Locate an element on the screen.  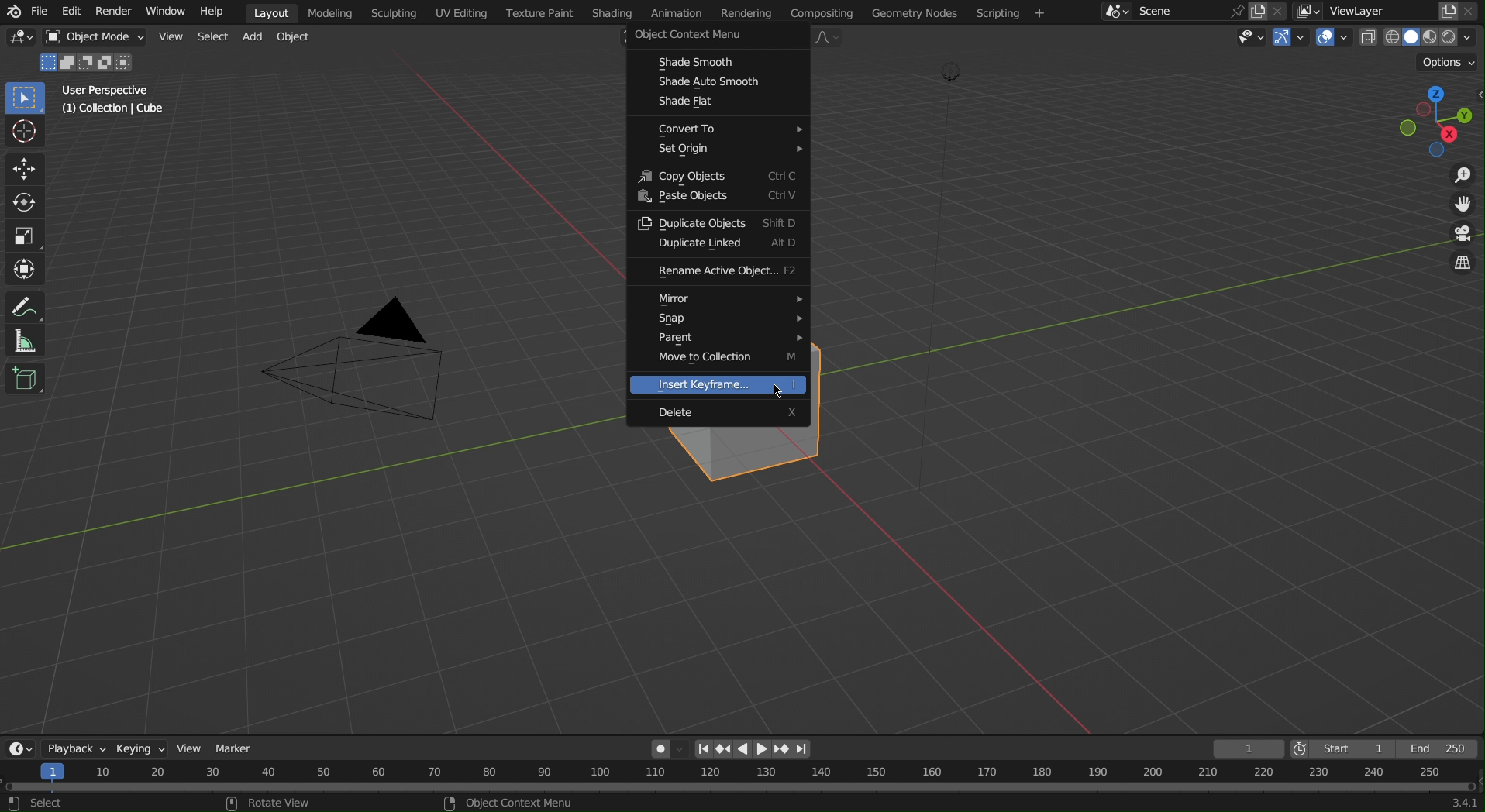
merge with no common thing is located at coordinates (108, 62).